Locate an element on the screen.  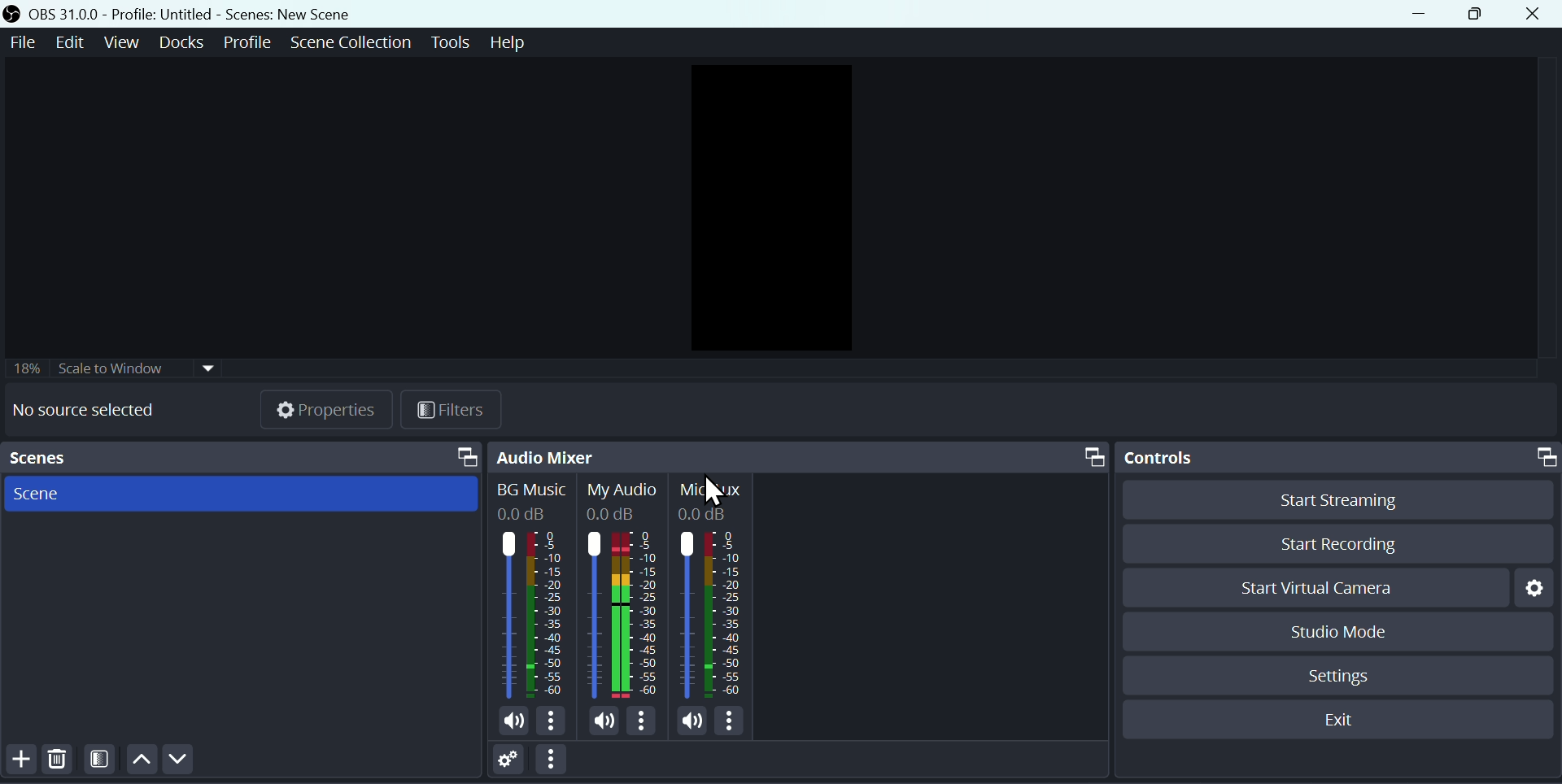
help is located at coordinates (507, 45).